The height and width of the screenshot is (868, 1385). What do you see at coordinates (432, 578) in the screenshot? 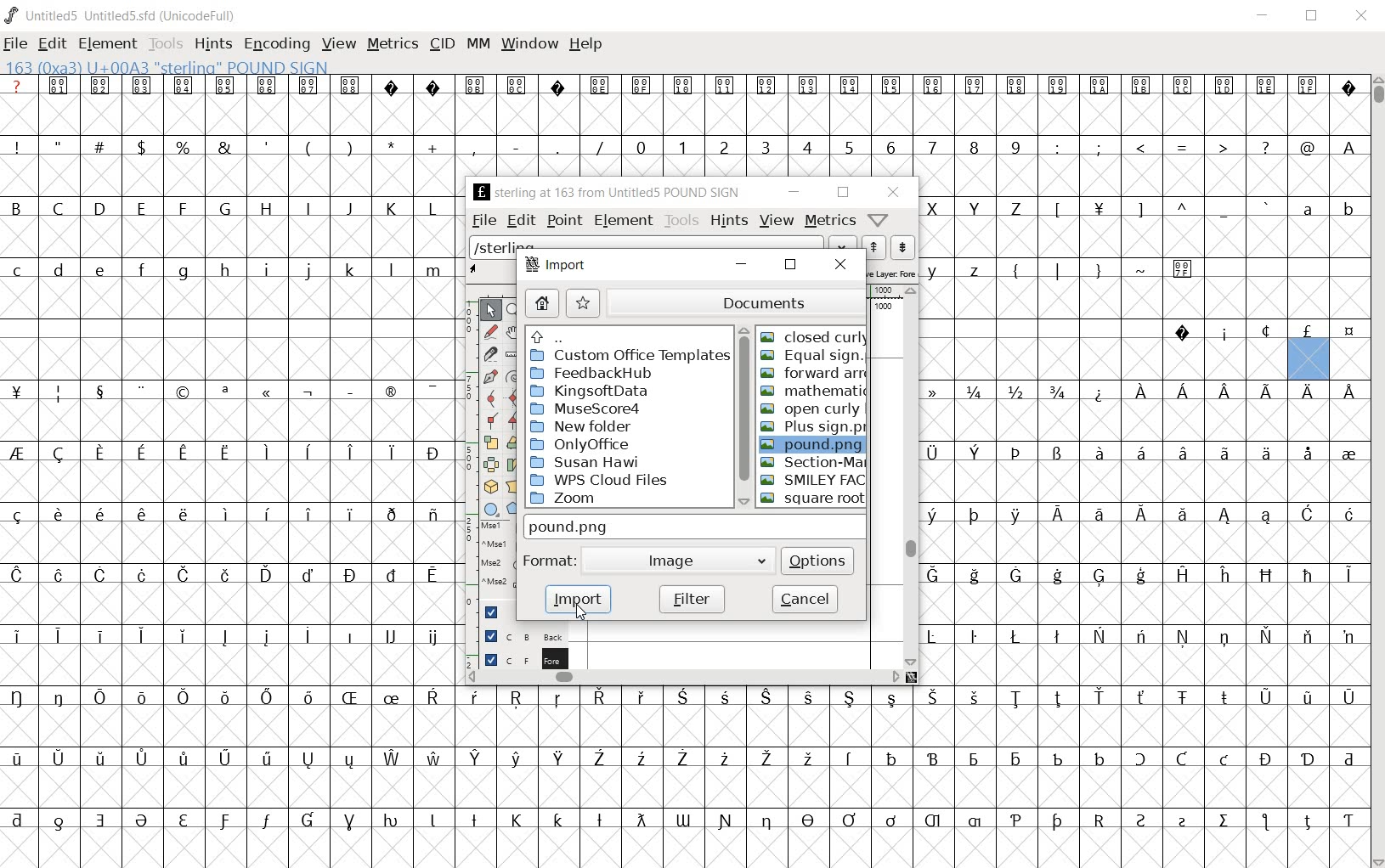
I see `Symbol` at bounding box center [432, 578].